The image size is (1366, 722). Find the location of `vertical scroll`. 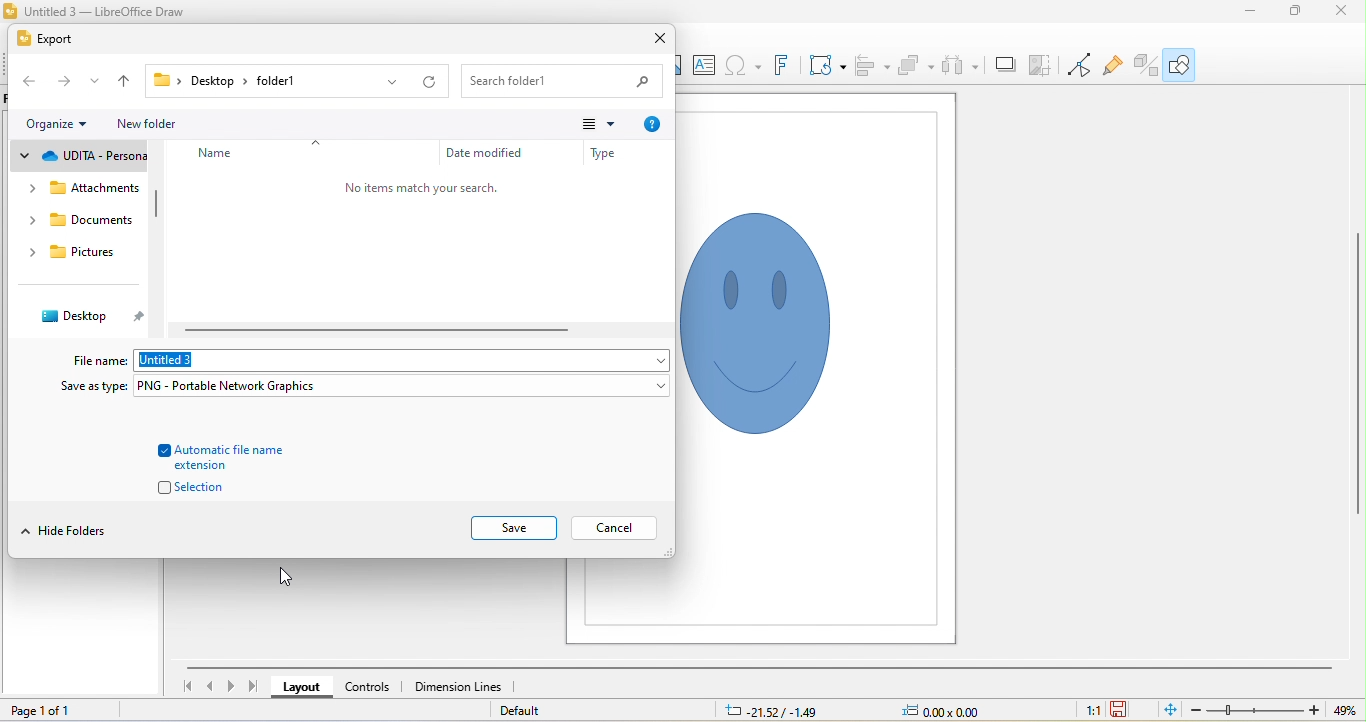

vertical scroll is located at coordinates (1351, 380).